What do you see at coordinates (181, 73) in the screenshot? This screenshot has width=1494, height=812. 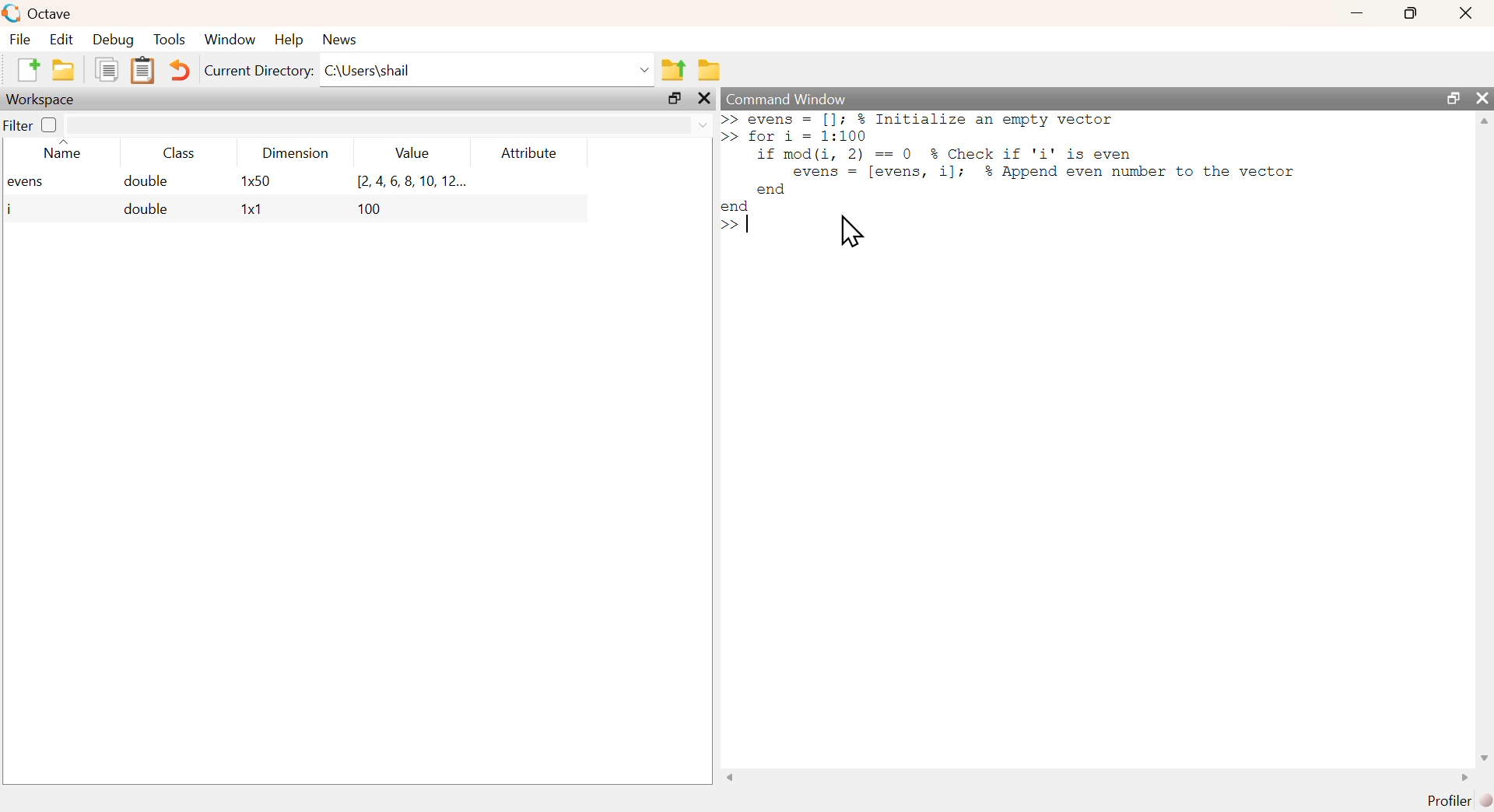 I see `undo` at bounding box center [181, 73].